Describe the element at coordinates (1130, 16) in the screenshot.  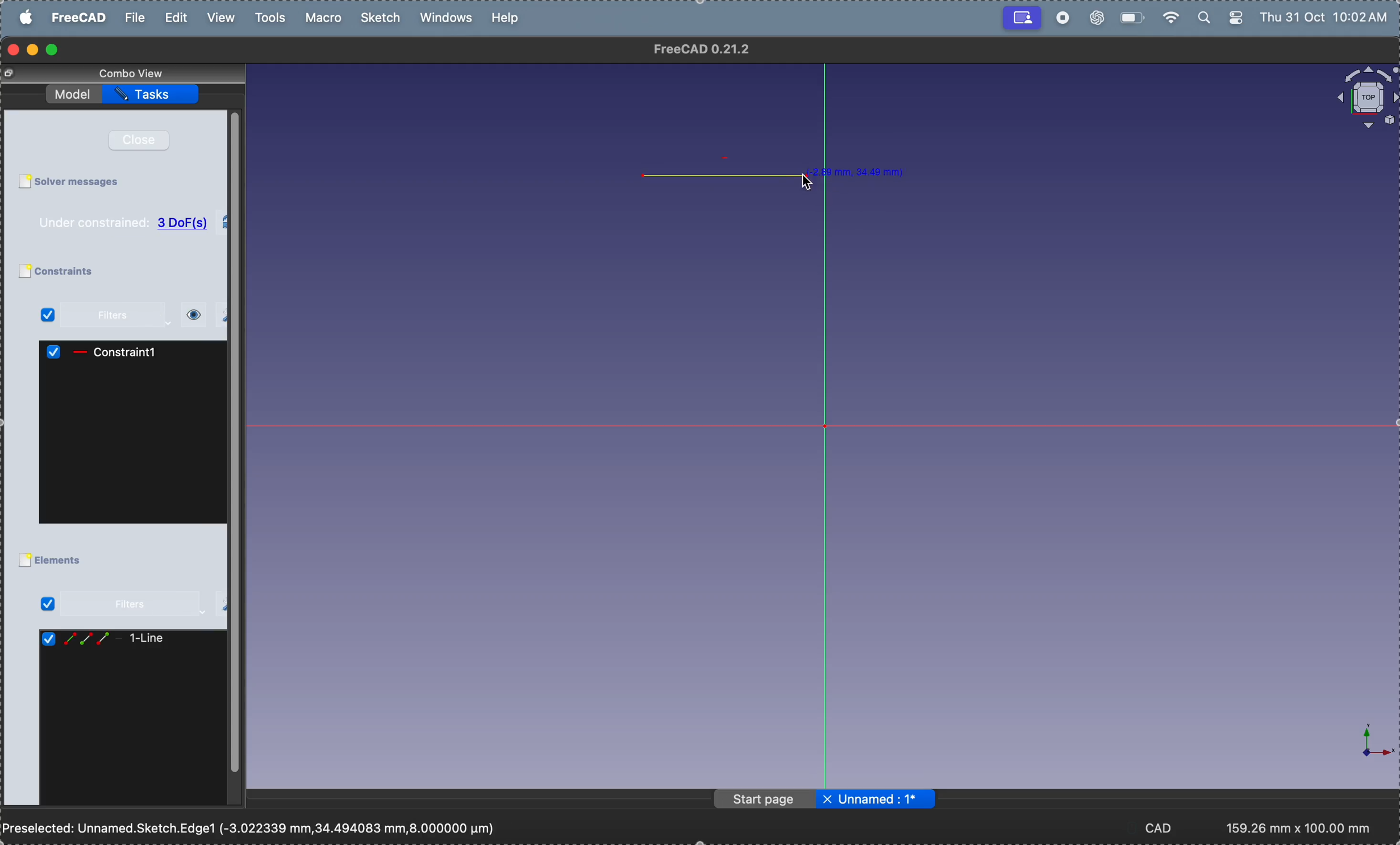
I see `battery` at that location.